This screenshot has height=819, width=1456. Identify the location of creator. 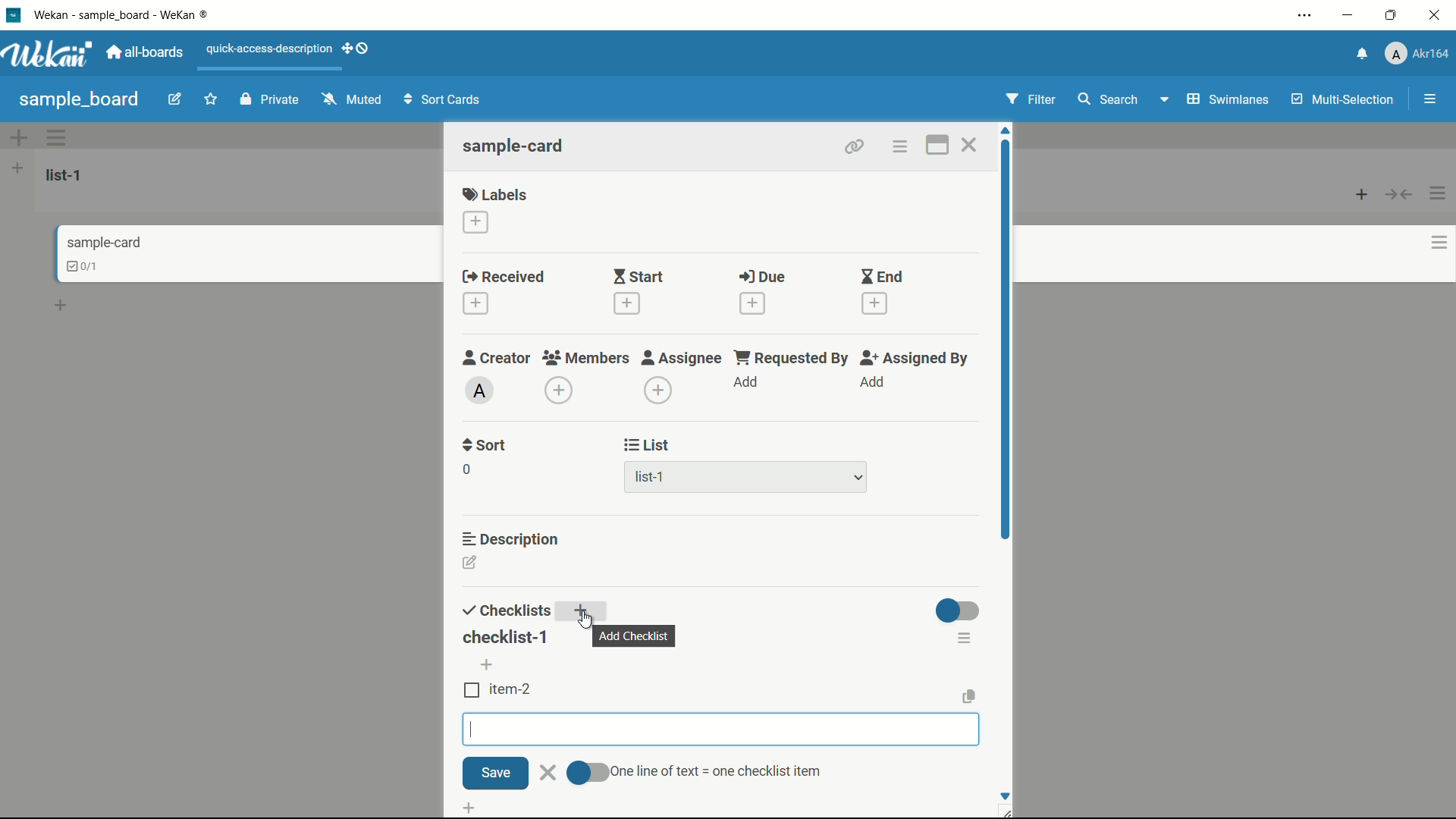
(497, 357).